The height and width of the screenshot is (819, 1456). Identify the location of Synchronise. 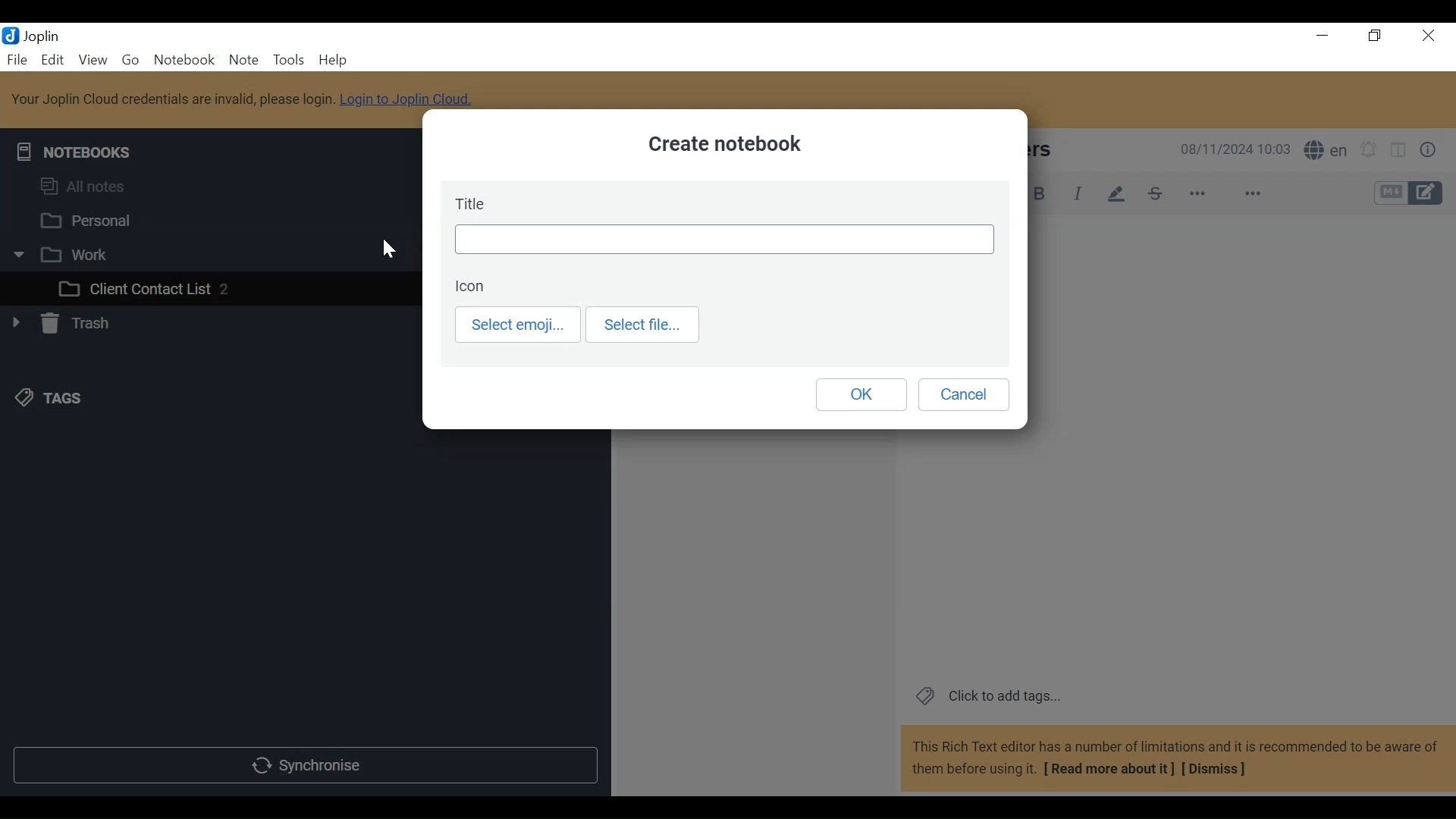
(308, 765).